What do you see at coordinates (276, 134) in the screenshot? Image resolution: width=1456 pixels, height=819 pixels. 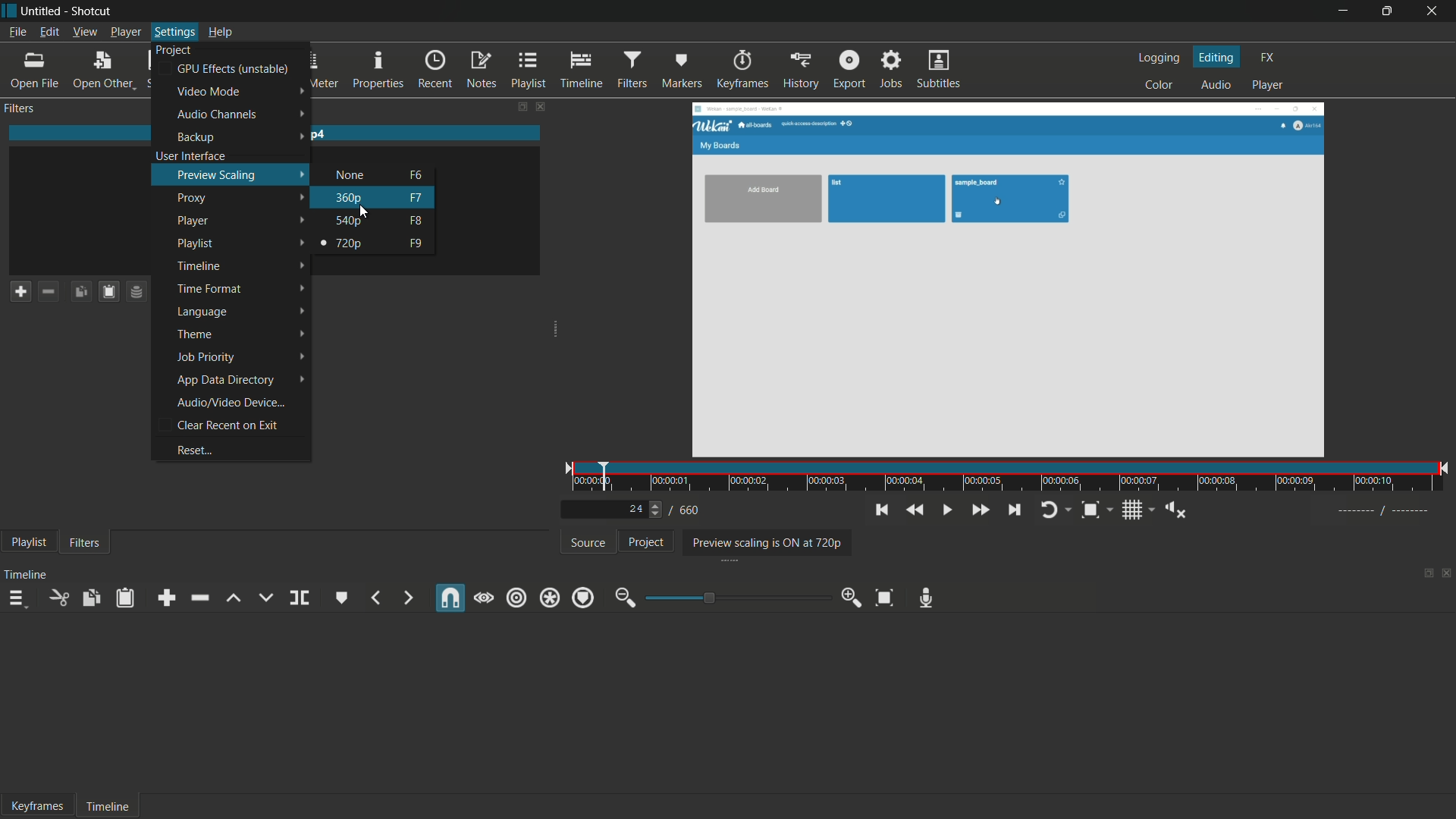 I see `imported file name` at bounding box center [276, 134].